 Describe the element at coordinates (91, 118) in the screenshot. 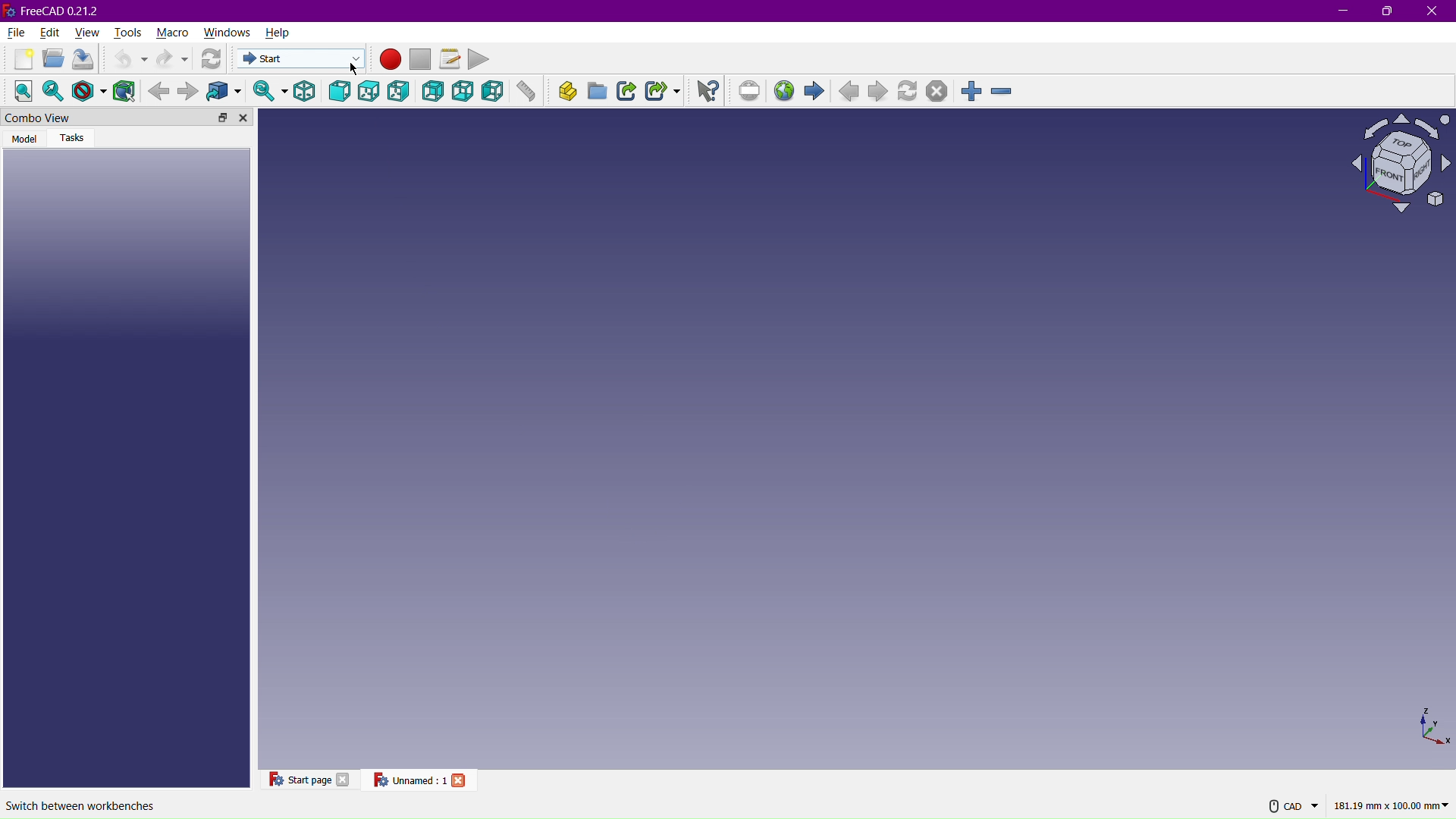

I see `Combo View` at that location.